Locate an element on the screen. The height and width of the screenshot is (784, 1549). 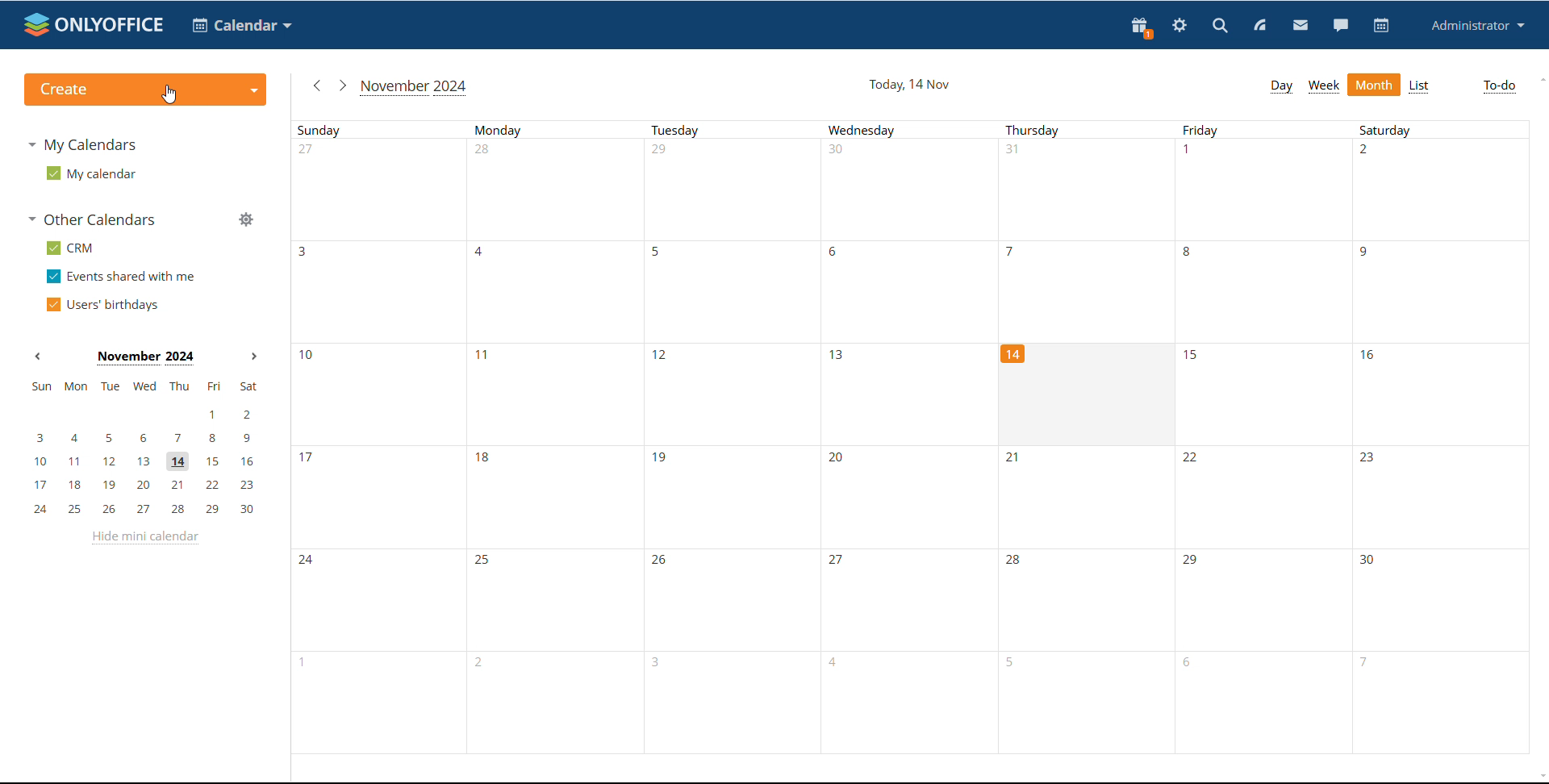
Different dates of the month is located at coordinates (920, 497).